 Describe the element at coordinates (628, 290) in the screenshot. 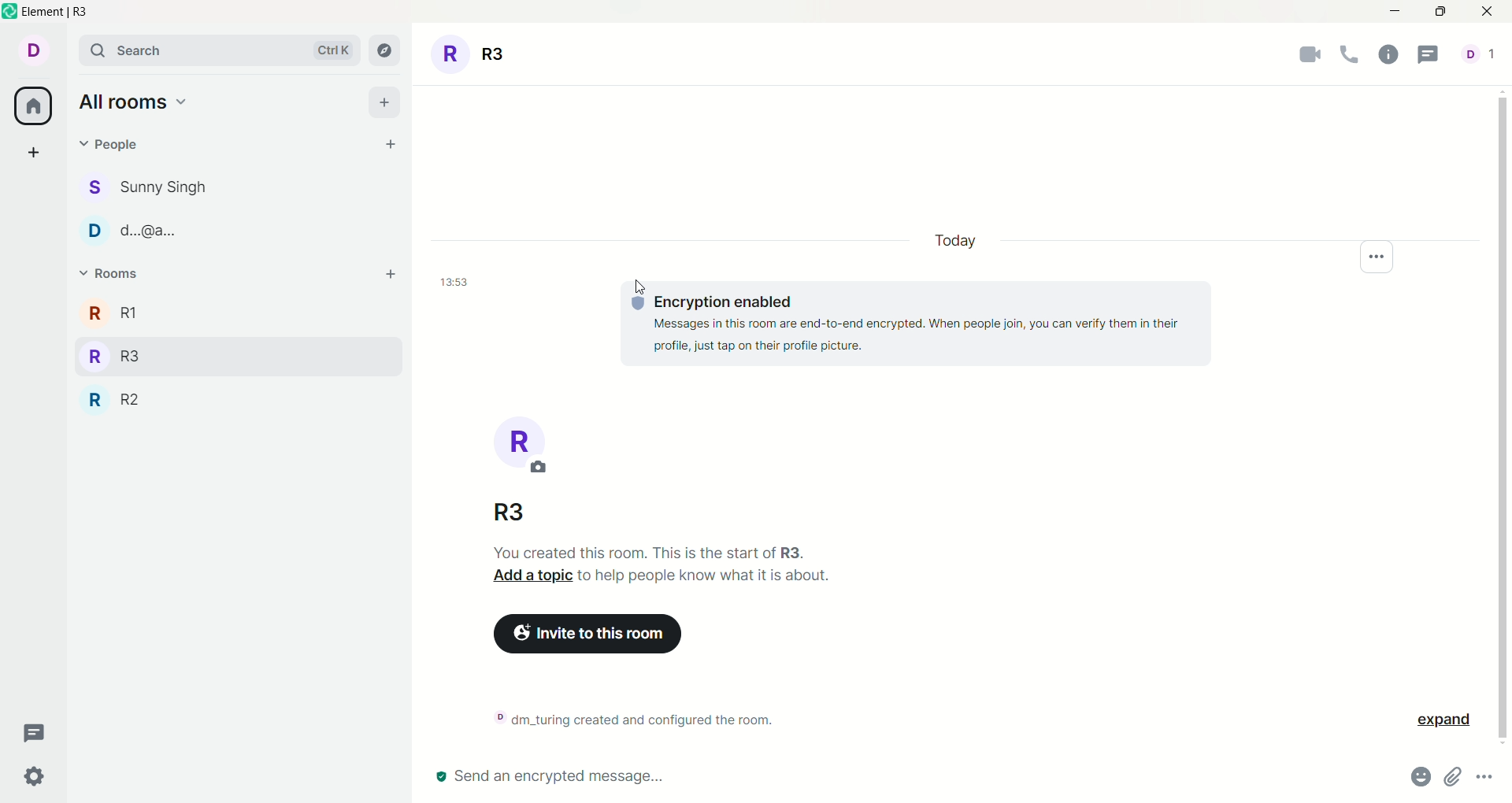

I see `cursor` at that location.